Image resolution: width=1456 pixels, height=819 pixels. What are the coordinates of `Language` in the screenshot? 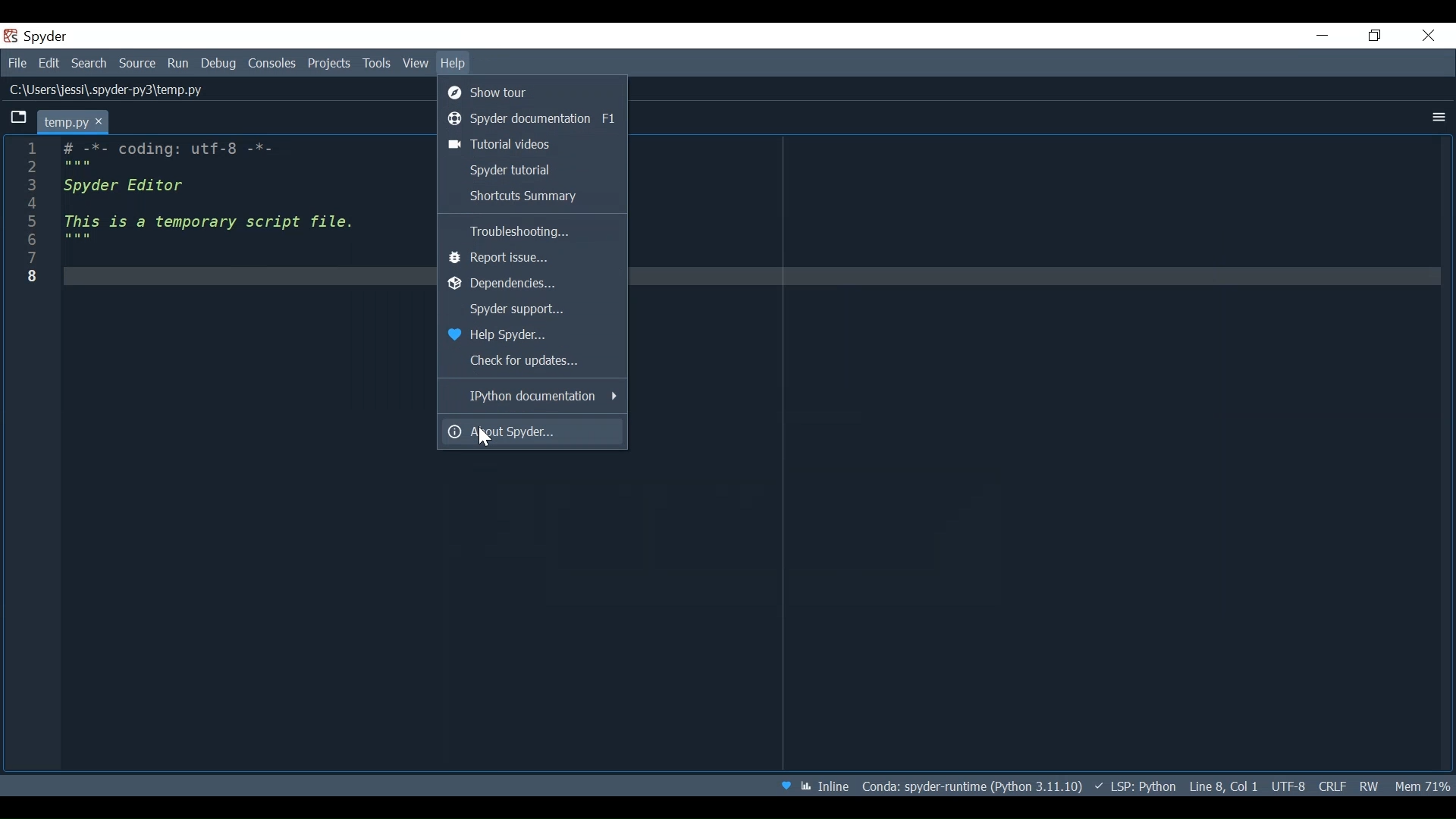 It's located at (1136, 786).